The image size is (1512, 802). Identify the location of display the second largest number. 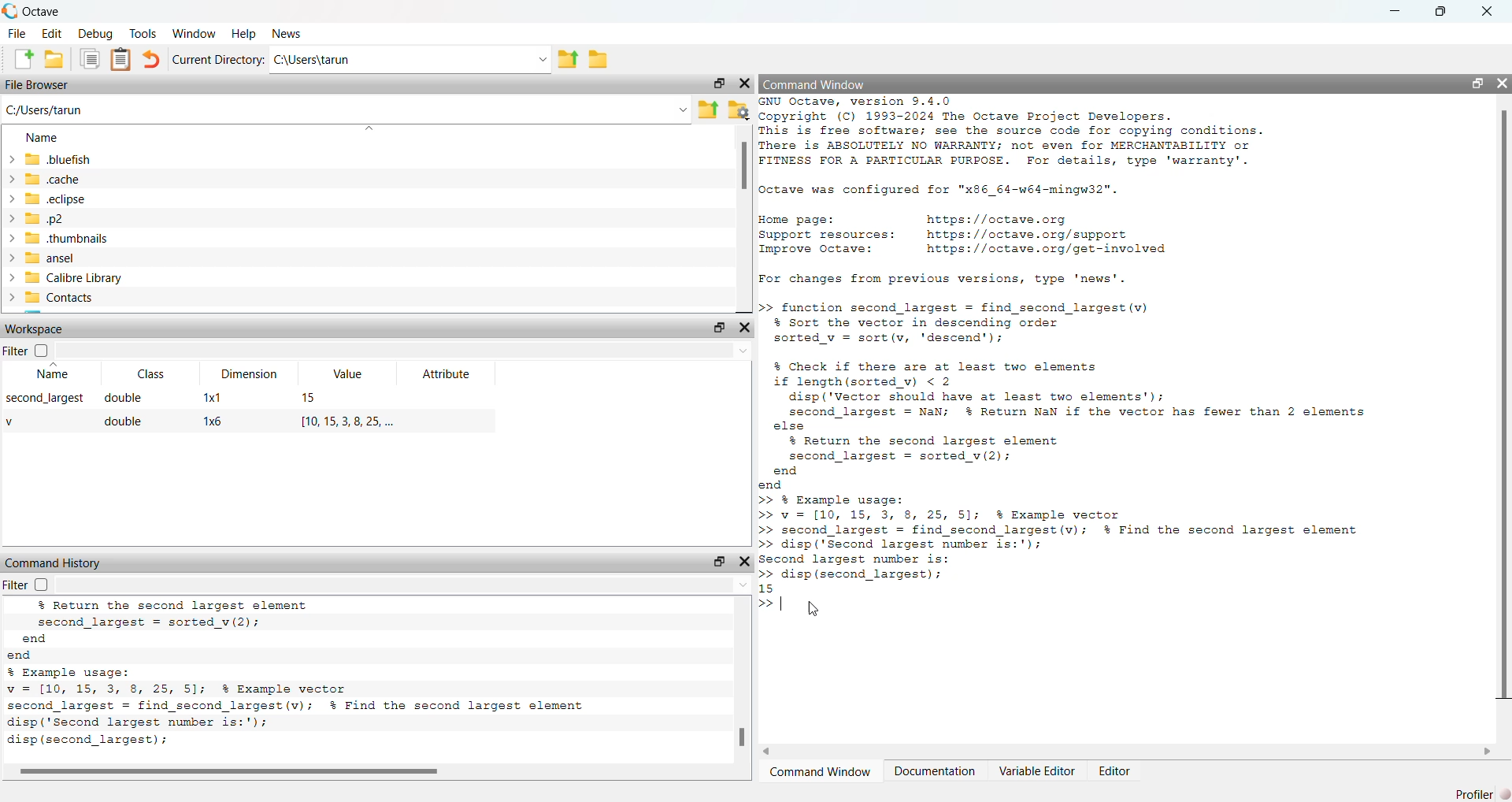
(1094, 543).